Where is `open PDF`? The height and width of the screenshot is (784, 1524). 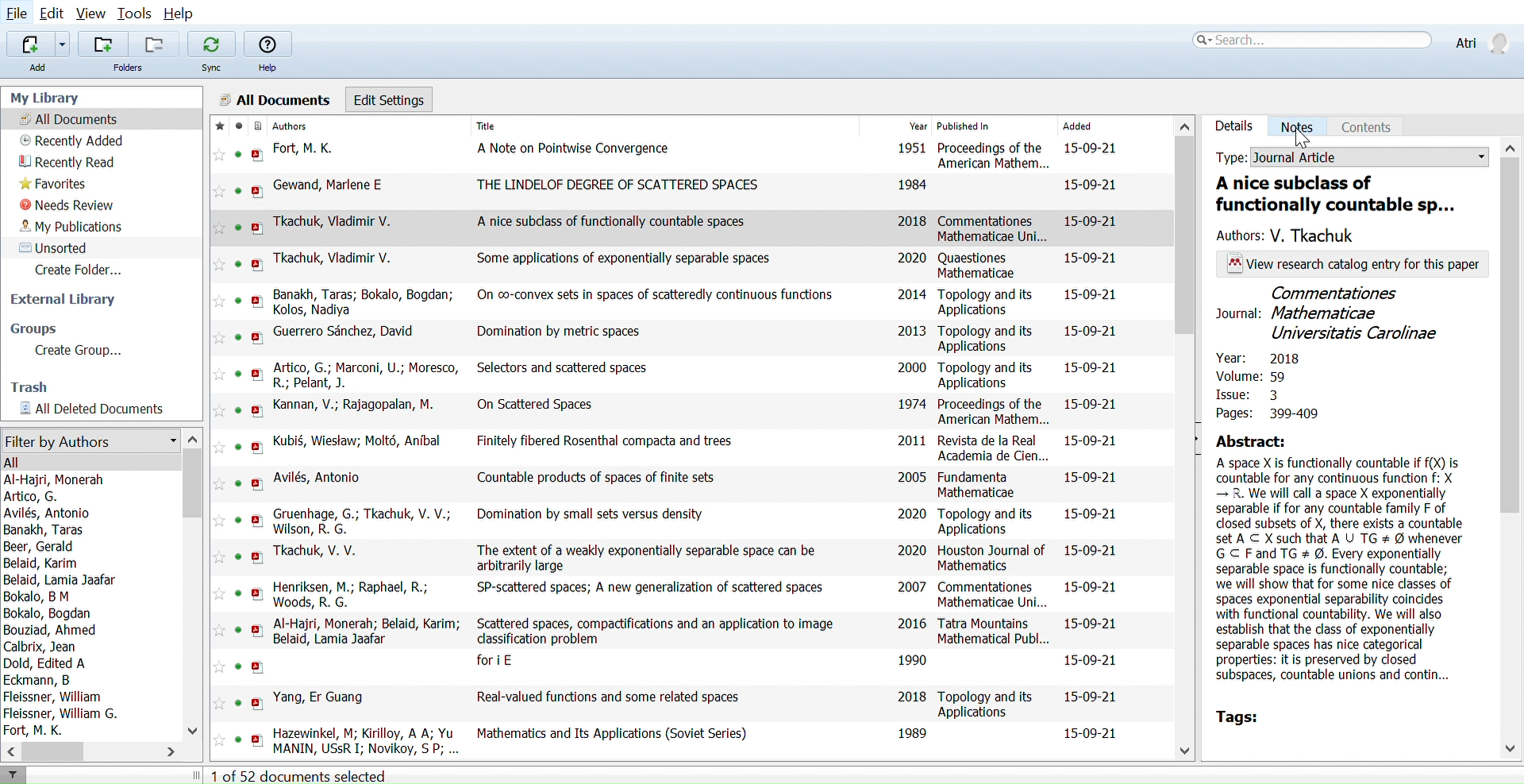 open PDF is located at coordinates (258, 301).